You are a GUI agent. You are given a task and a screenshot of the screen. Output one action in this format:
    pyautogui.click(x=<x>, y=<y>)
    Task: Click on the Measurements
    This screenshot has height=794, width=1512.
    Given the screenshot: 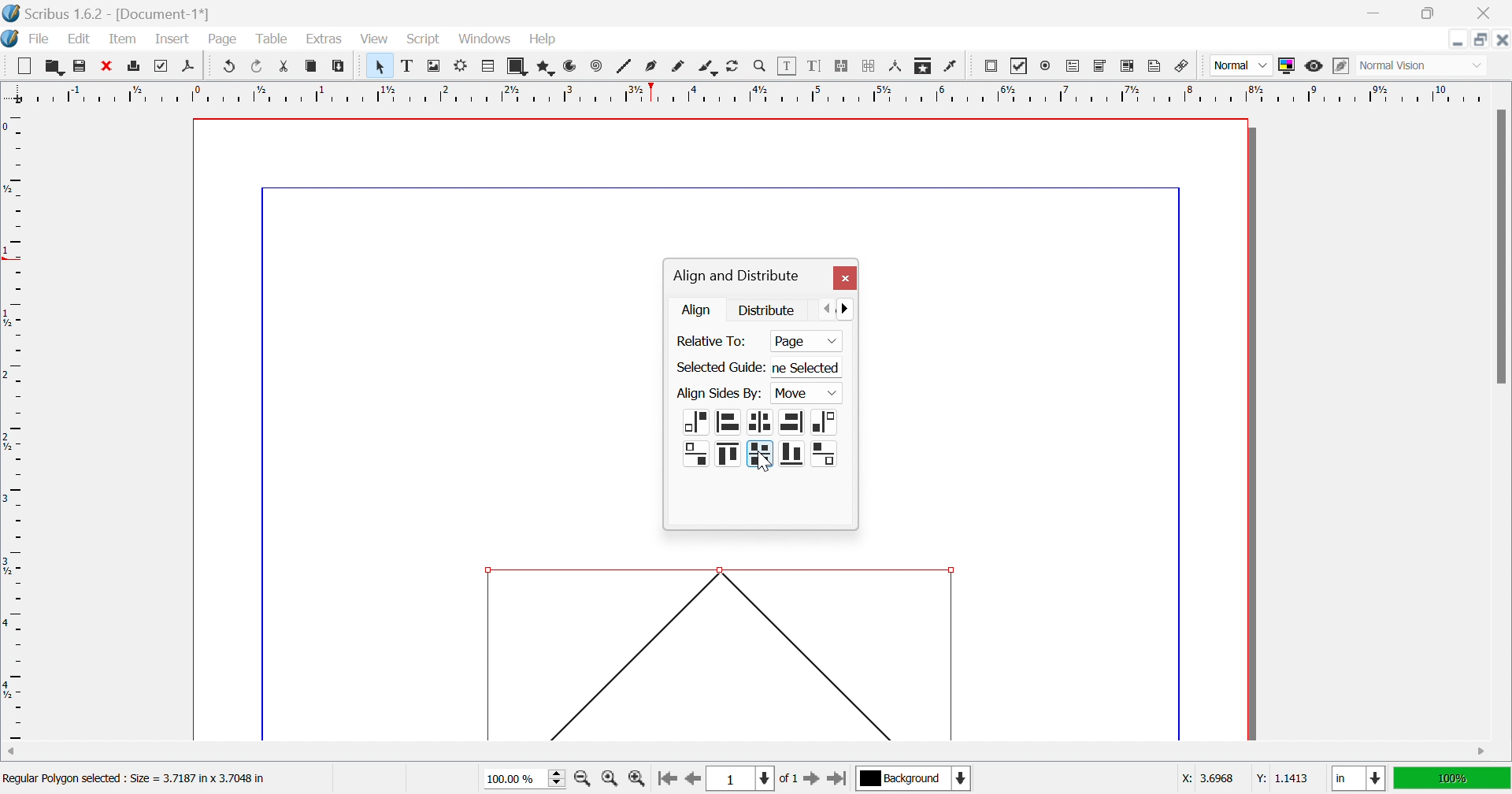 What is the action you would take?
    pyautogui.click(x=897, y=67)
    